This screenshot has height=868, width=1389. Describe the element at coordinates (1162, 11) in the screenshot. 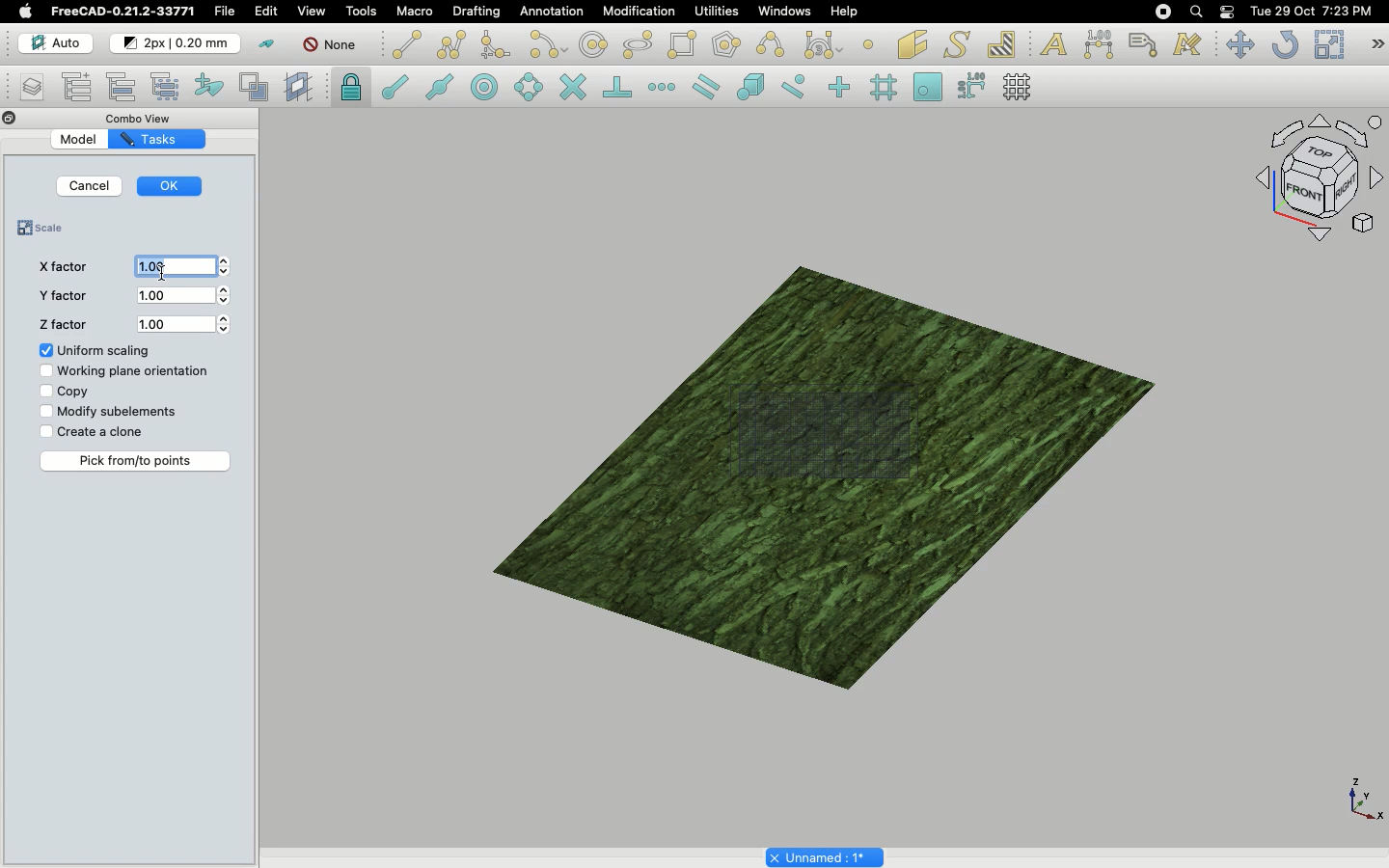

I see `Recording` at that location.